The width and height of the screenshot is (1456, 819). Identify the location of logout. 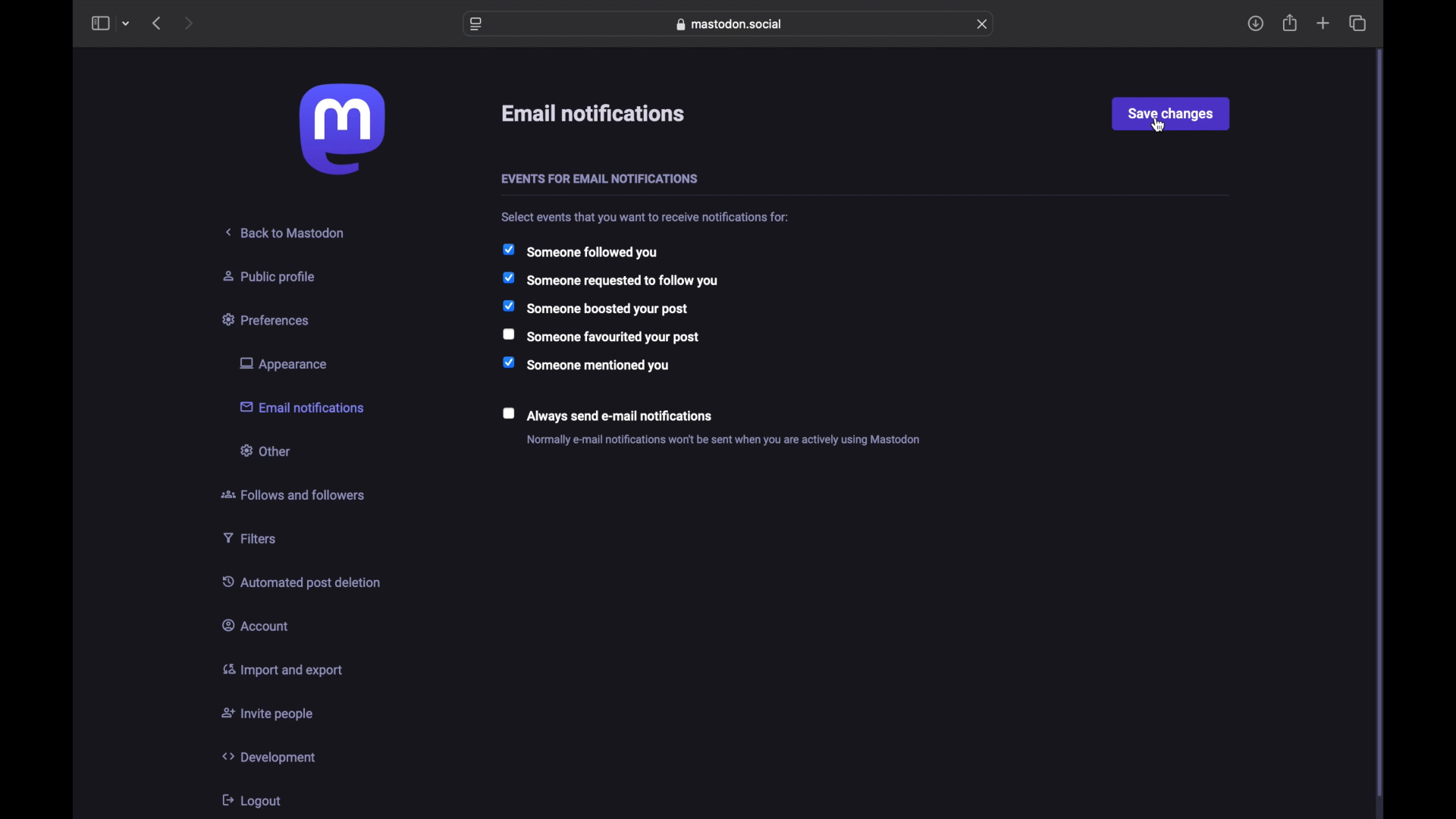
(250, 800).